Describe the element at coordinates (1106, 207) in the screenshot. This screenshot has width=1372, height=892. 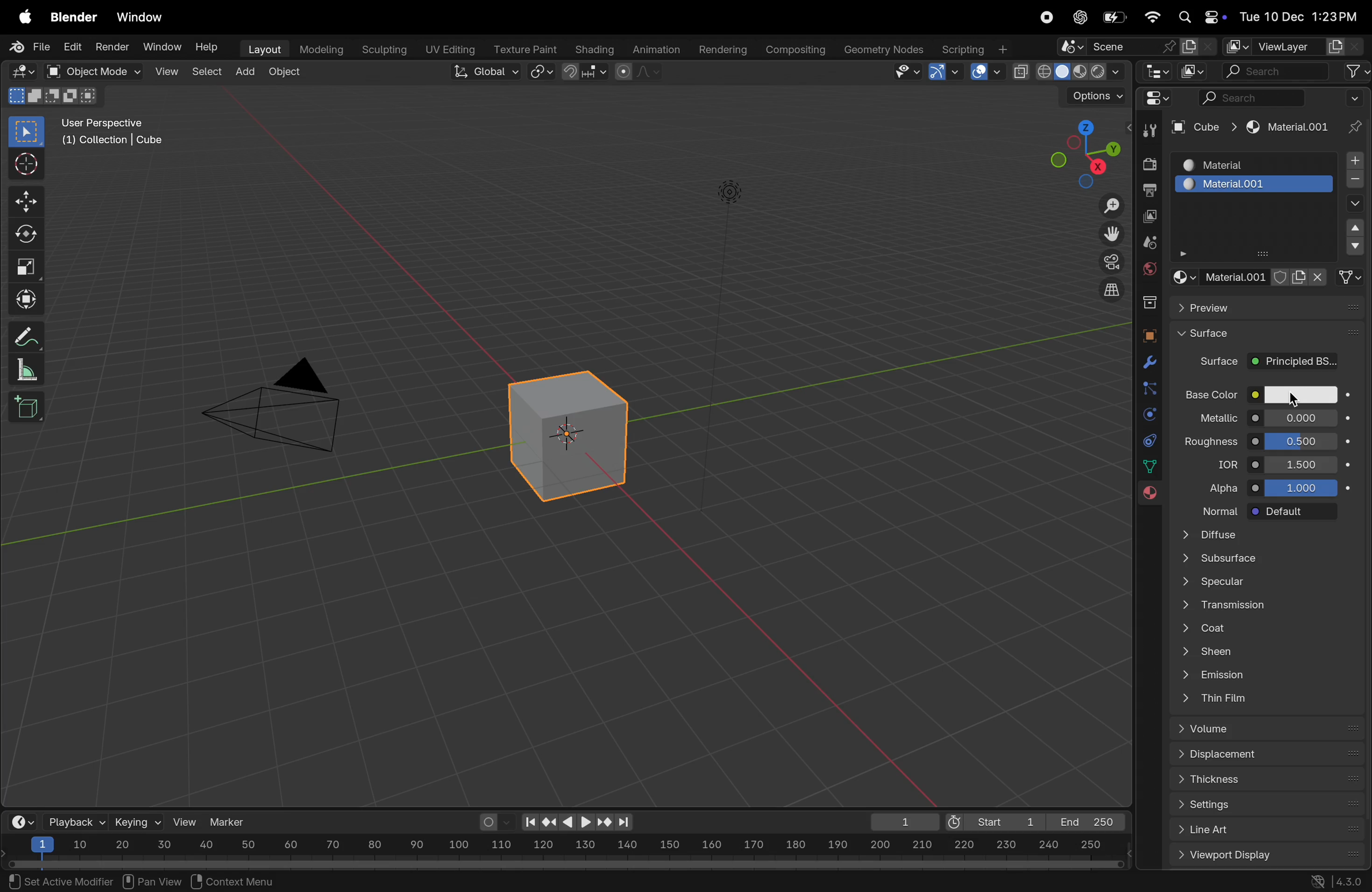
I see `zoom` at that location.